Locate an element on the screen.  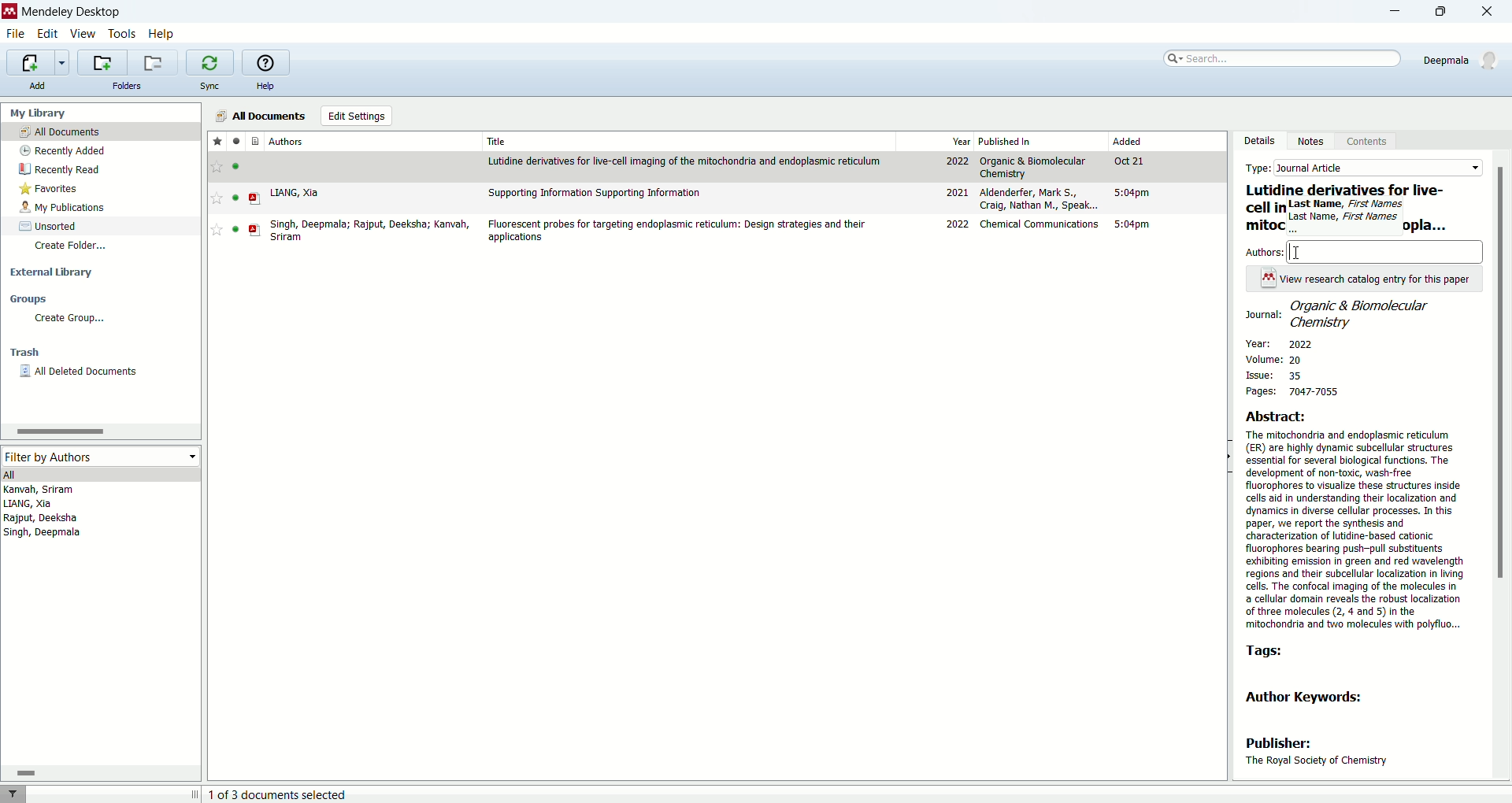
added is located at coordinates (1142, 142).